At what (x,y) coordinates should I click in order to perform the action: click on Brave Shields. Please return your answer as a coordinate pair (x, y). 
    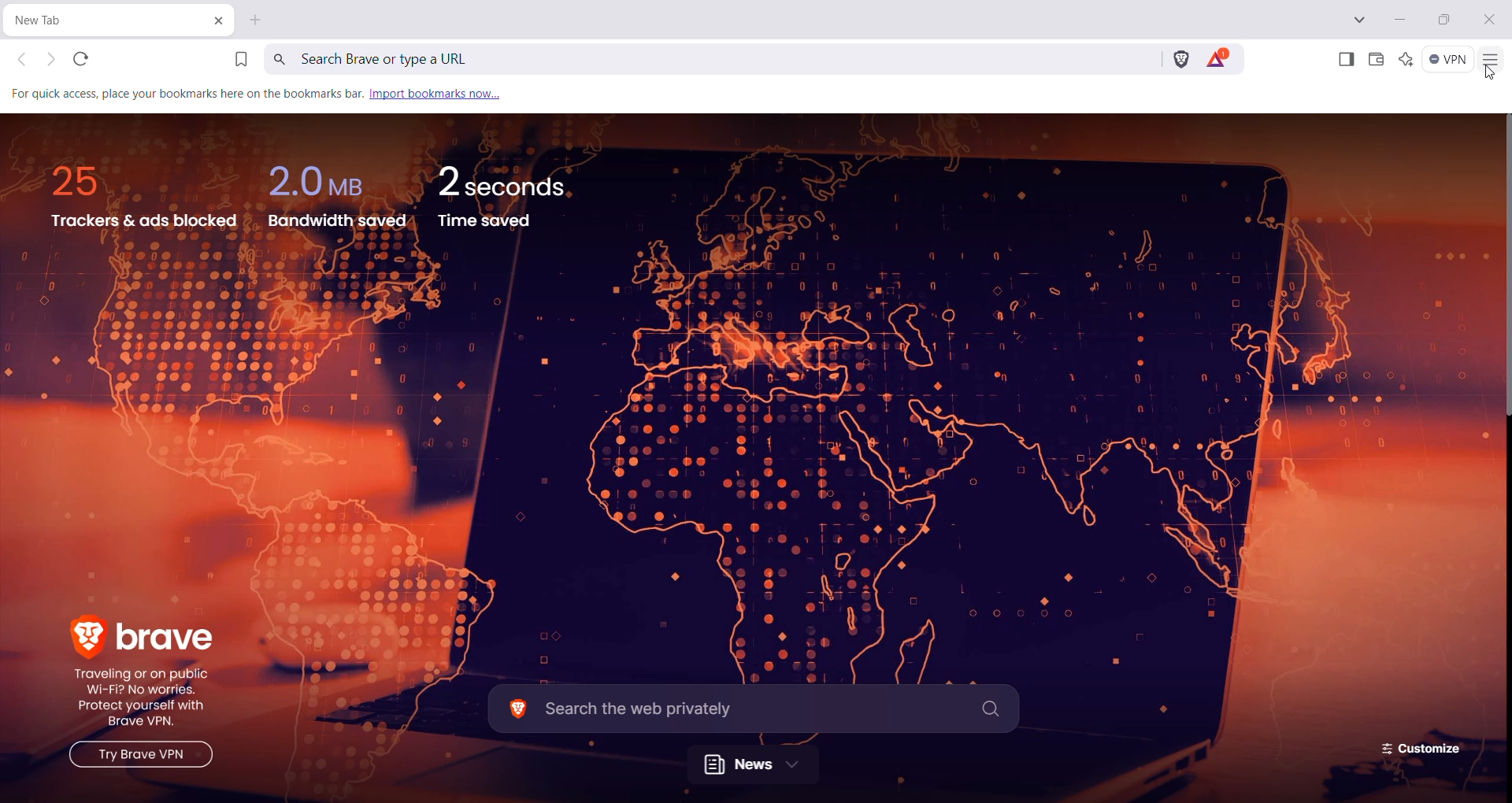
    Looking at the image, I should click on (1180, 57).